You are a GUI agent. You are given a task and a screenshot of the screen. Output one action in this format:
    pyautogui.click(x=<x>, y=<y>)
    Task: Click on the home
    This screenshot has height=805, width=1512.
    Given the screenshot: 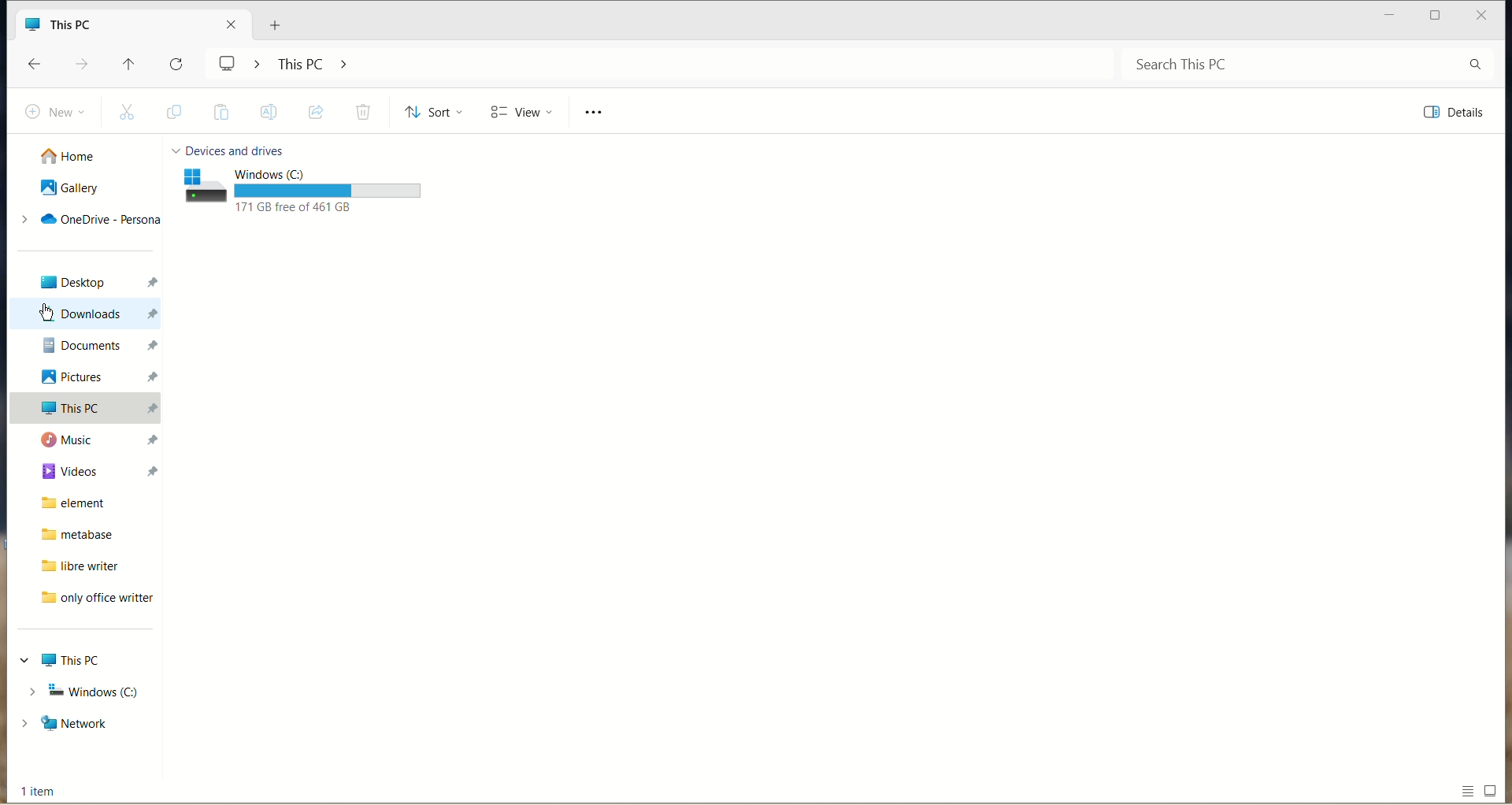 What is the action you would take?
    pyautogui.click(x=76, y=154)
    